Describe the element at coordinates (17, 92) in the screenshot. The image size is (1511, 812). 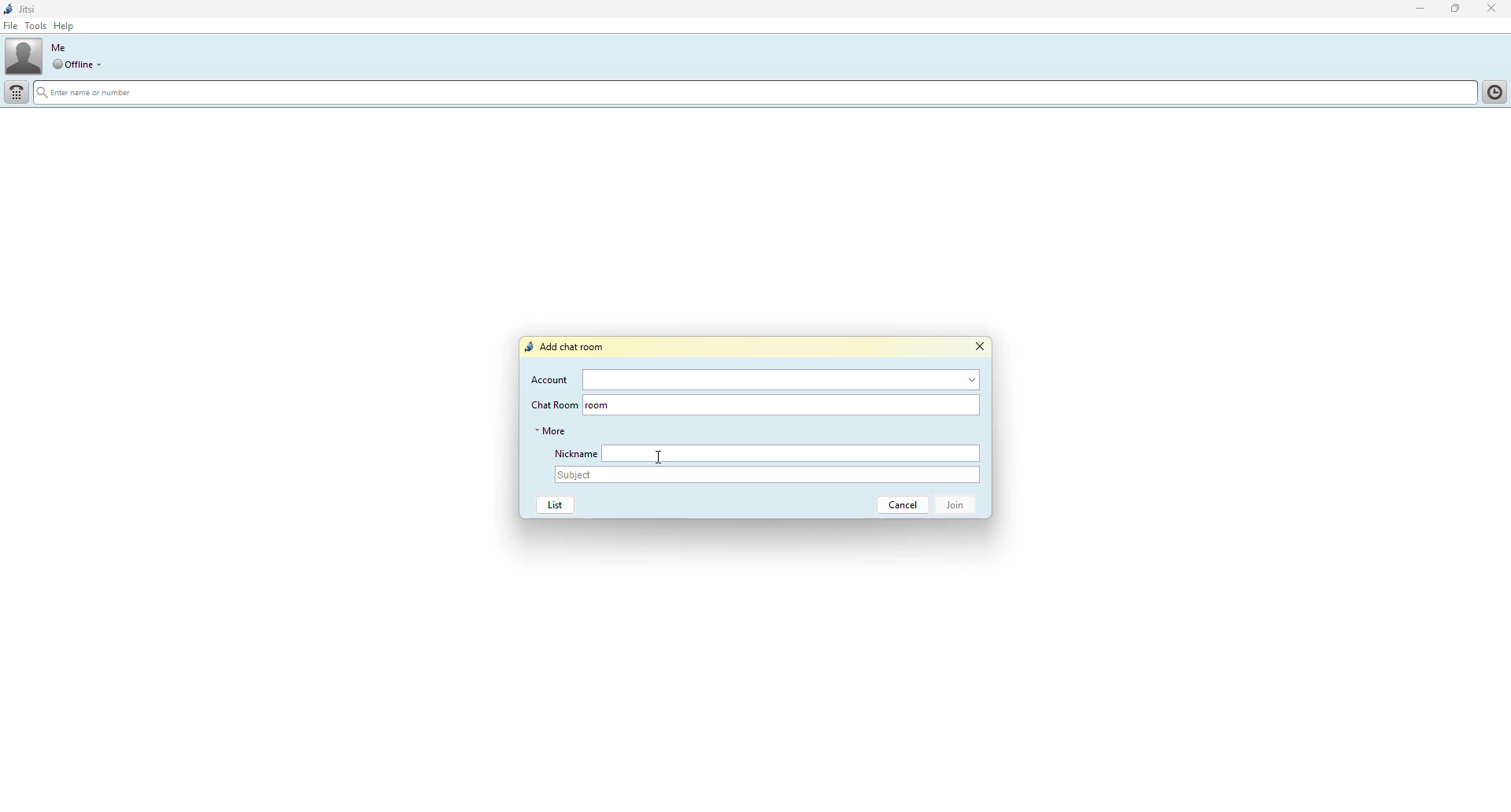
I see `dial pad` at that location.